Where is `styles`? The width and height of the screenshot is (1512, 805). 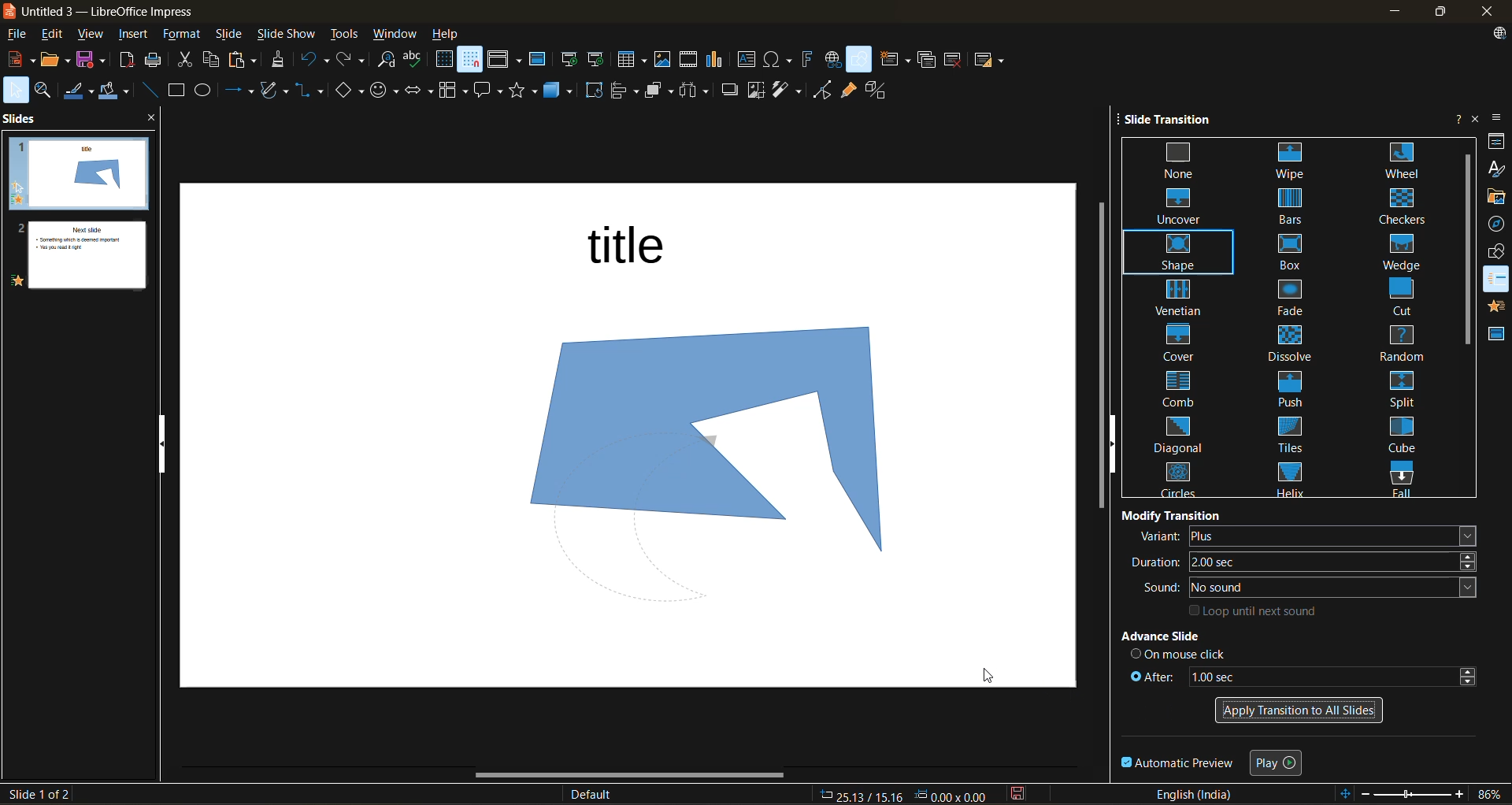 styles is located at coordinates (1495, 169).